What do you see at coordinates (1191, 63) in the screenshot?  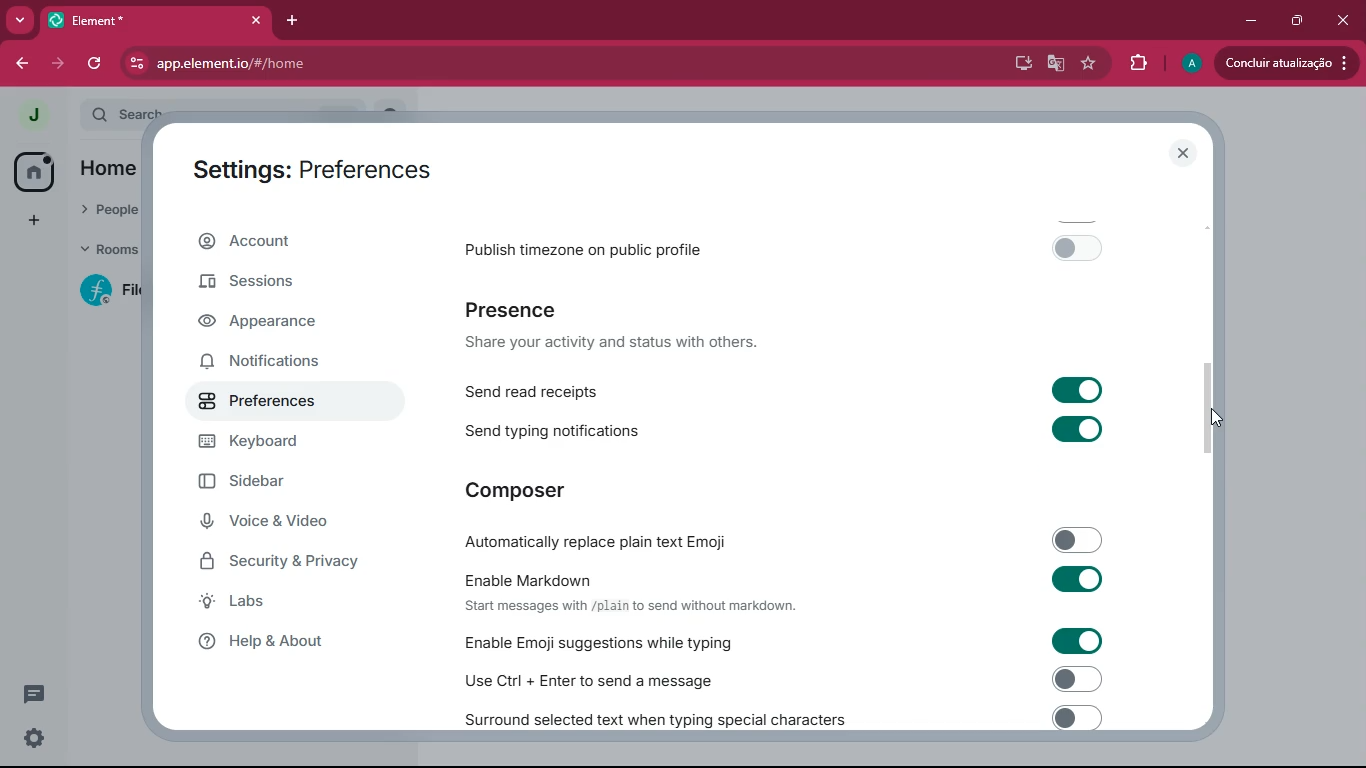 I see `profile` at bounding box center [1191, 63].